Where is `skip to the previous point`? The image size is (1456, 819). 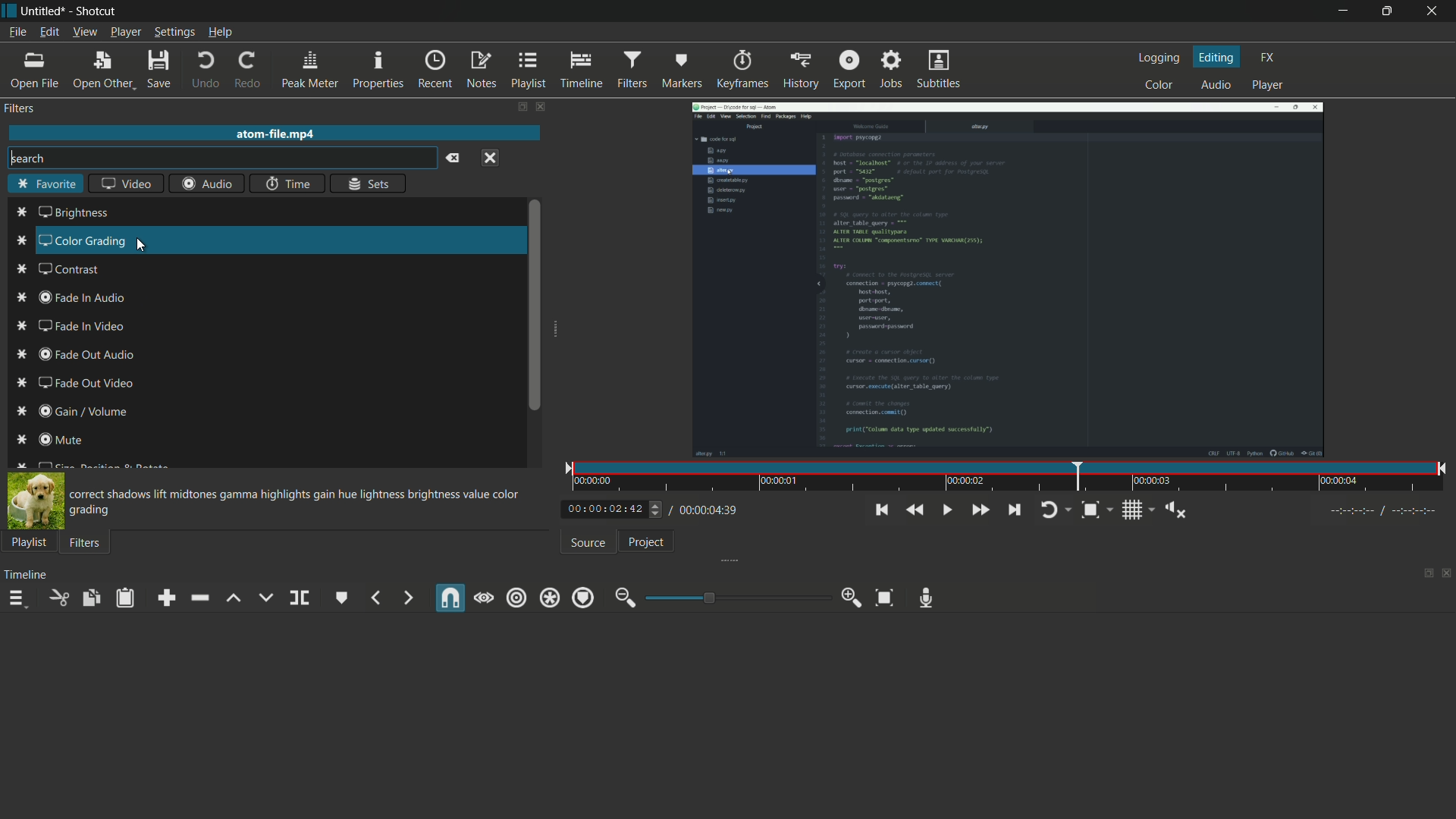
skip to the previous point is located at coordinates (880, 510).